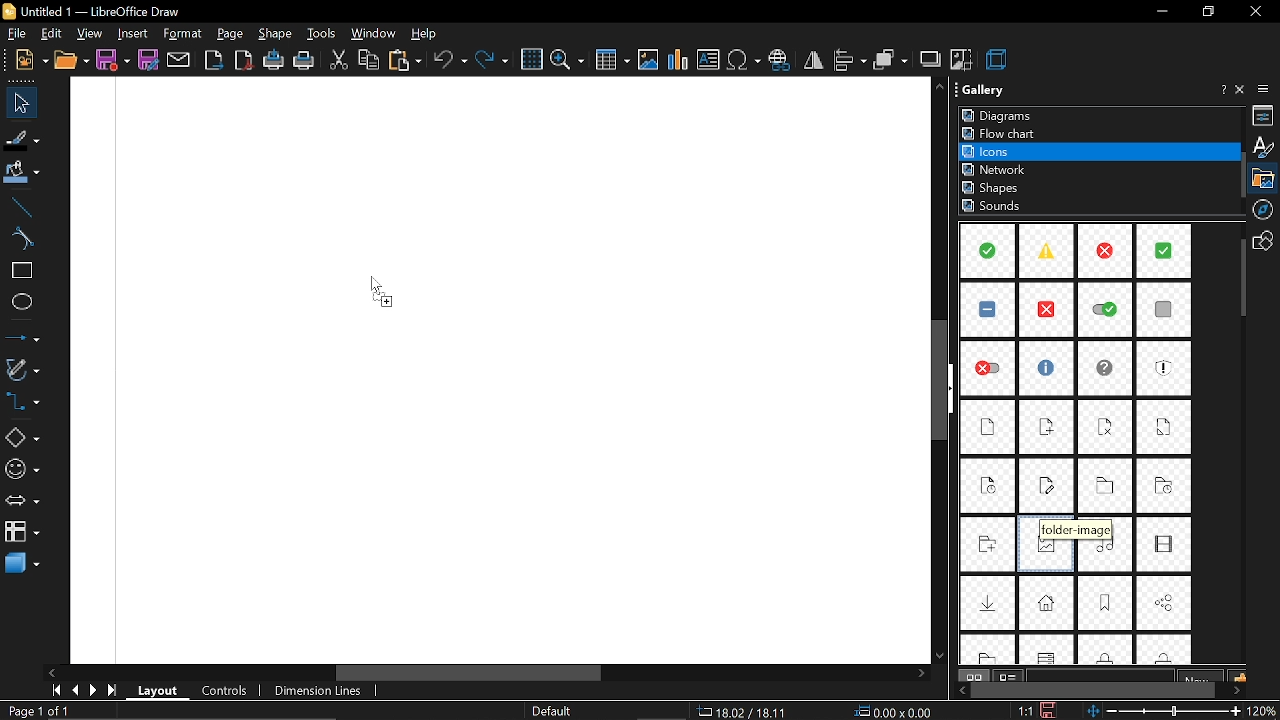  I want to click on insert symbol, so click(745, 61).